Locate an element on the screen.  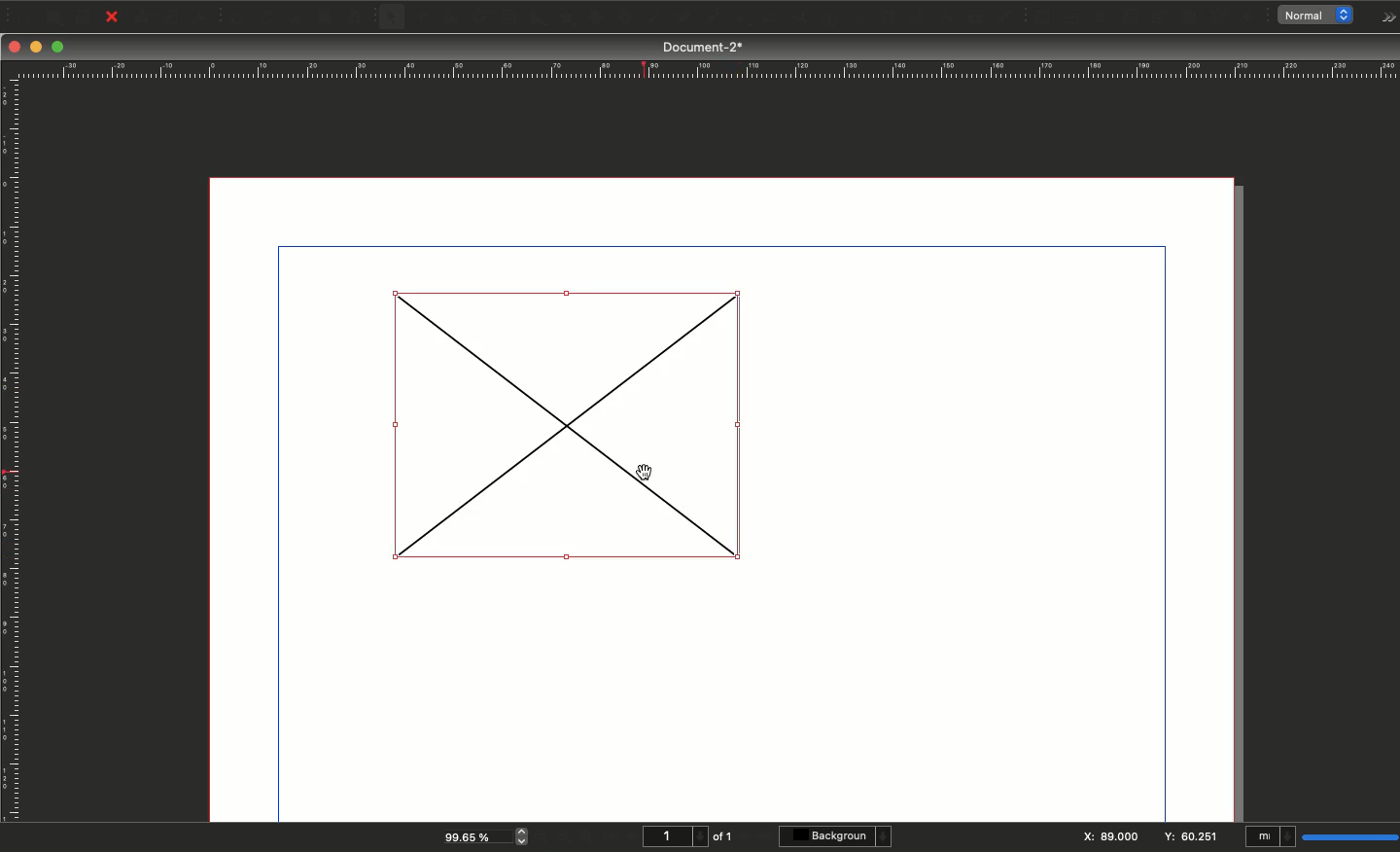
Unlink text frames is located at coordinates (911, 17).